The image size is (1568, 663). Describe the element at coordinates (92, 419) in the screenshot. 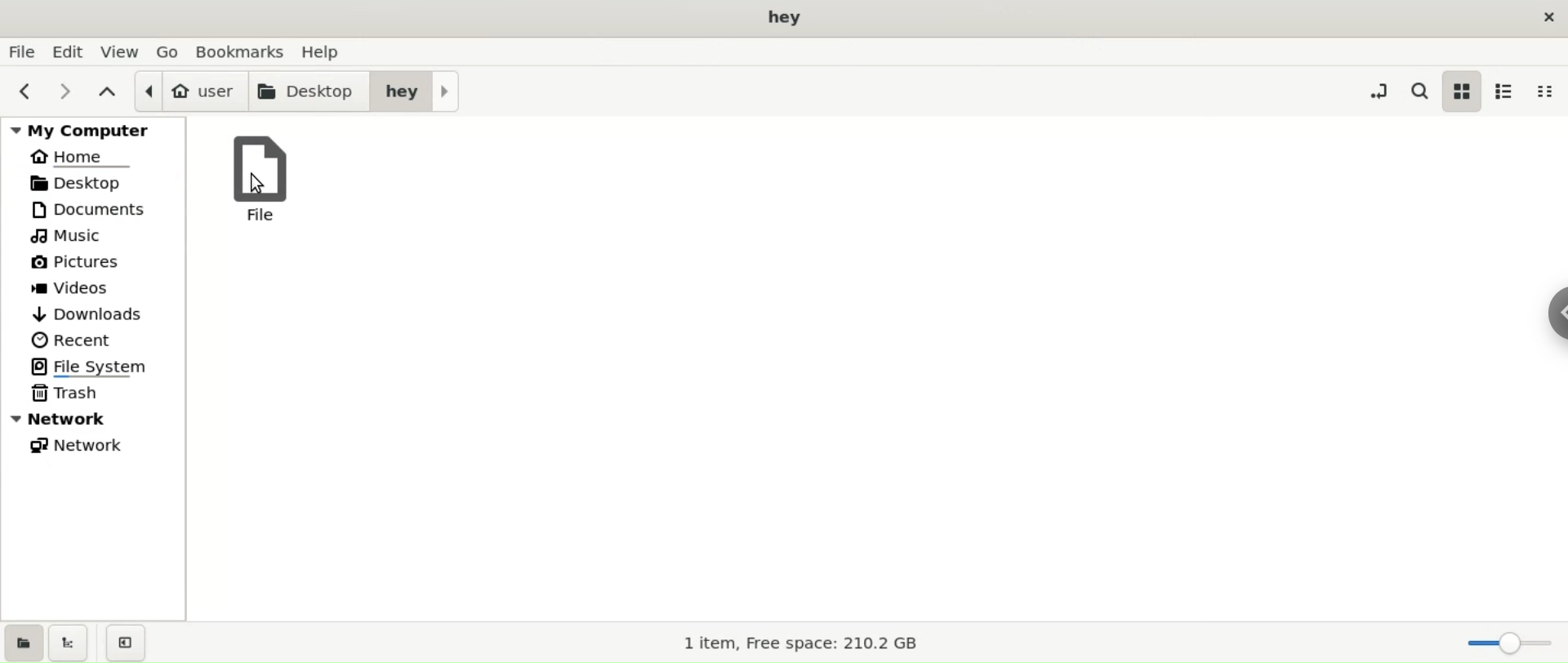

I see `network` at that location.